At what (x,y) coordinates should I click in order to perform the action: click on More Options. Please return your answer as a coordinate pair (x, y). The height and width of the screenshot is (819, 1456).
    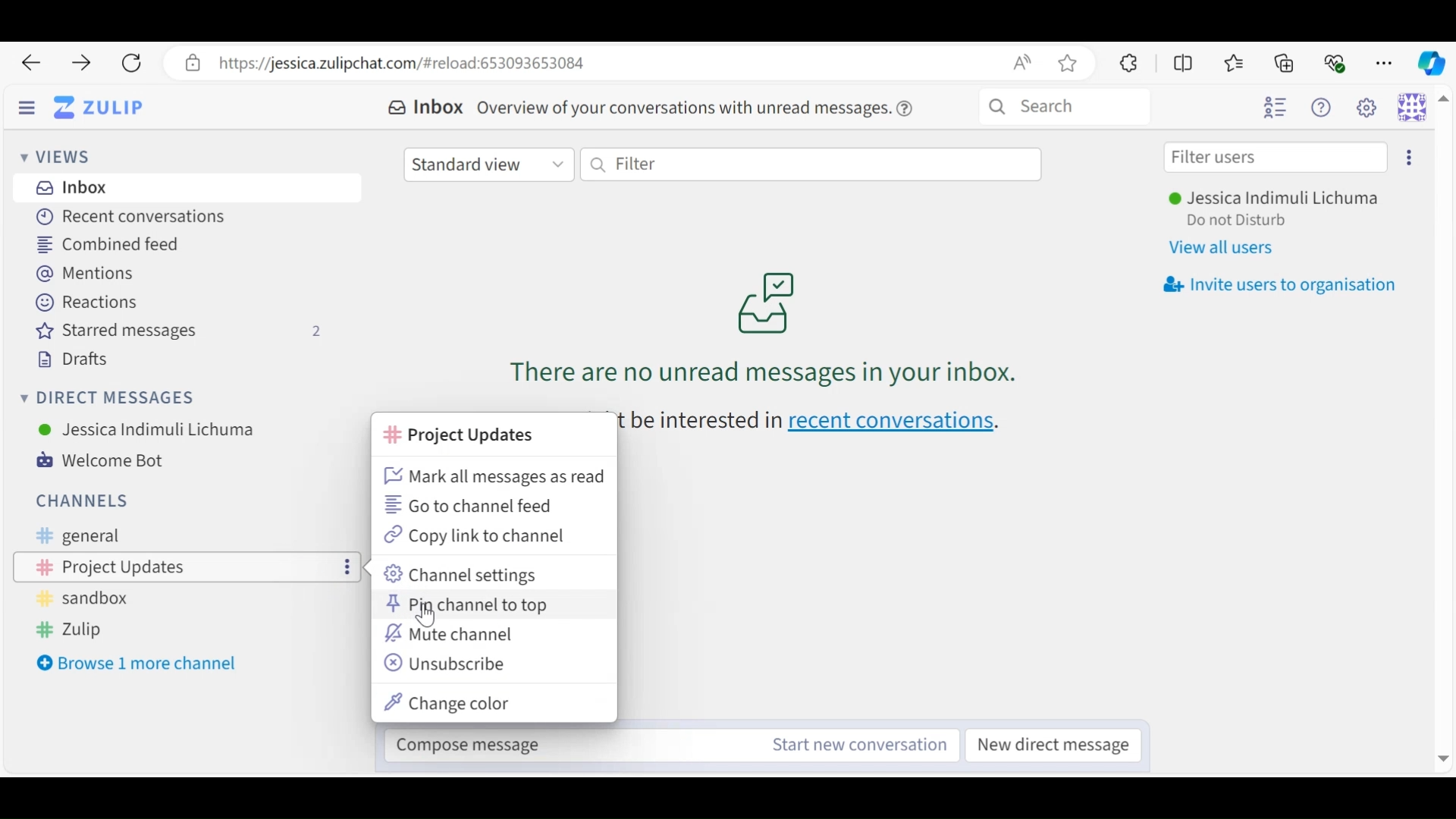
    Looking at the image, I should click on (344, 566).